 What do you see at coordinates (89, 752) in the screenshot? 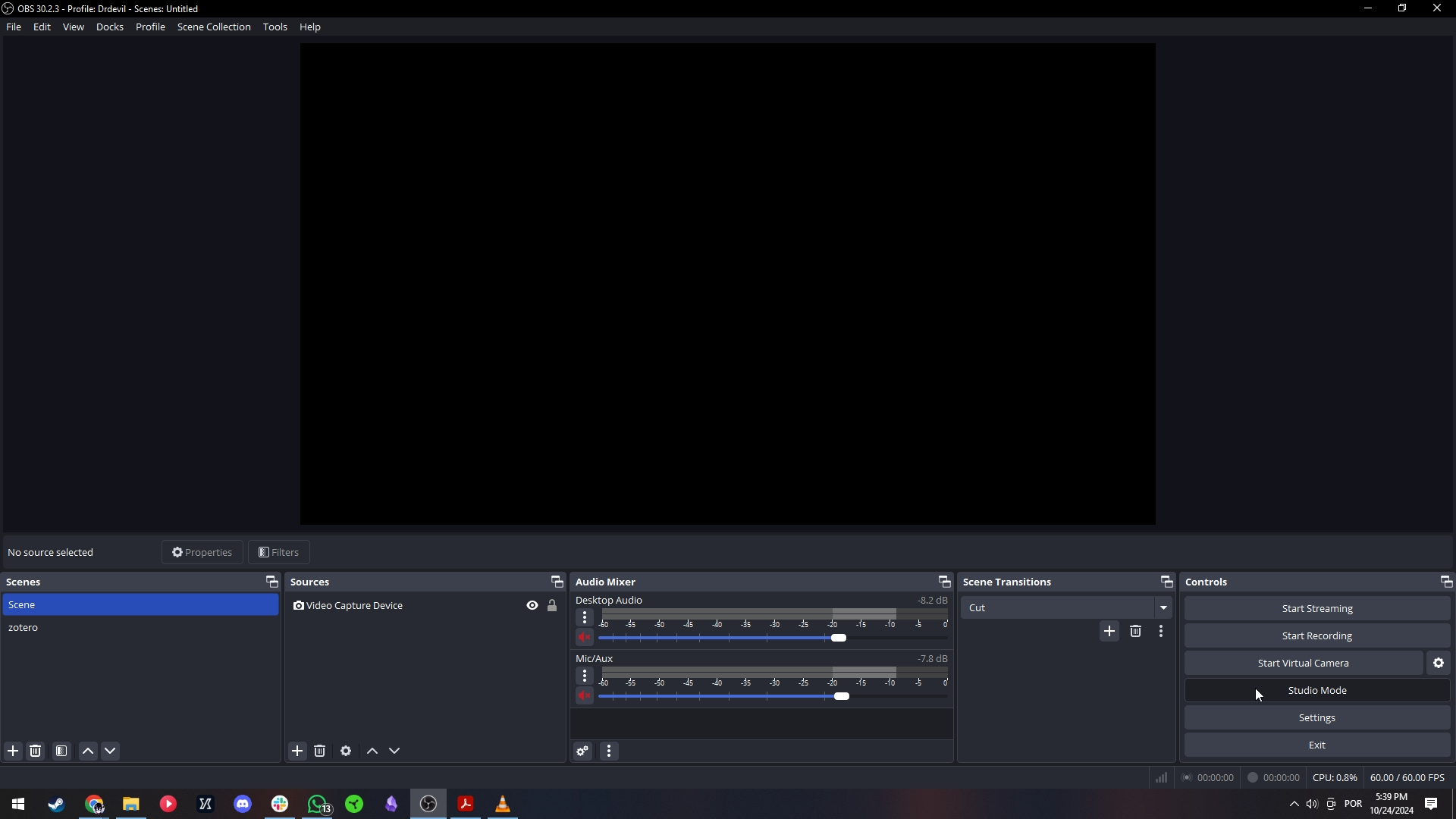
I see `Move scene up` at bounding box center [89, 752].